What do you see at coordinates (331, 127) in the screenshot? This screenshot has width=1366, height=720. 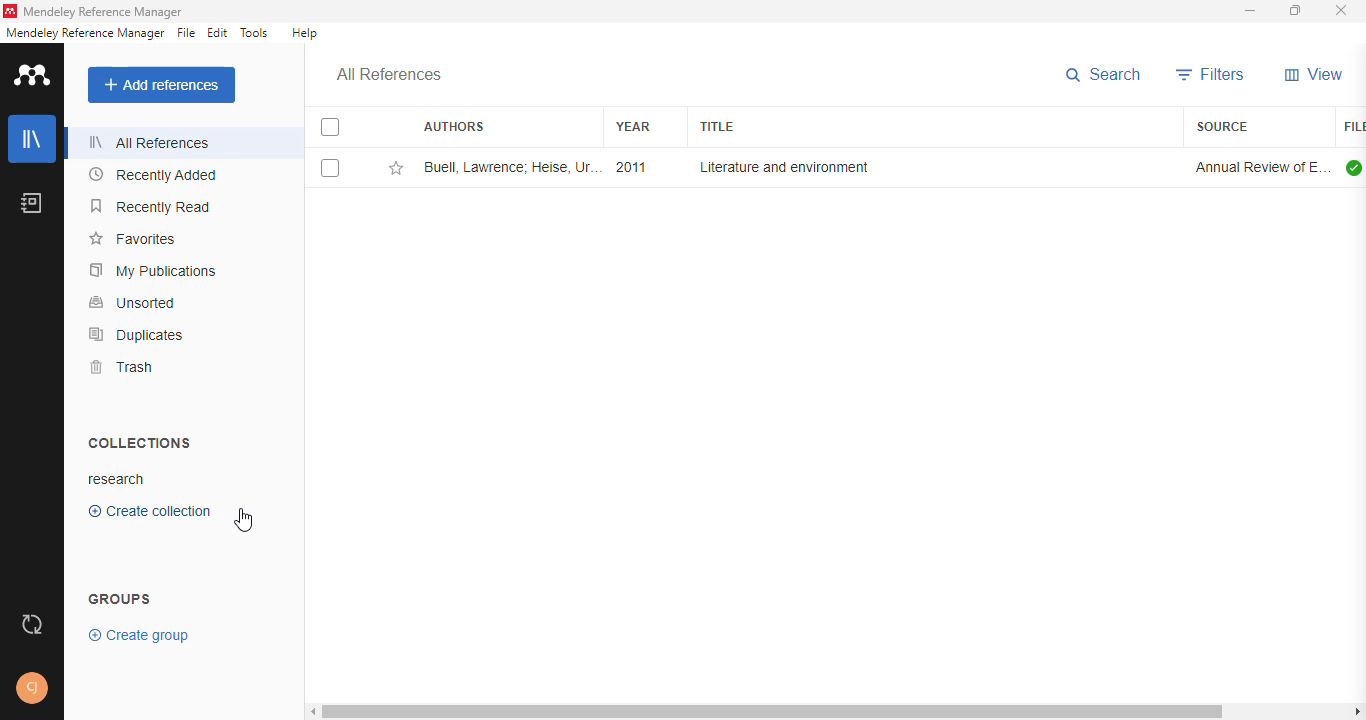 I see `select` at bounding box center [331, 127].